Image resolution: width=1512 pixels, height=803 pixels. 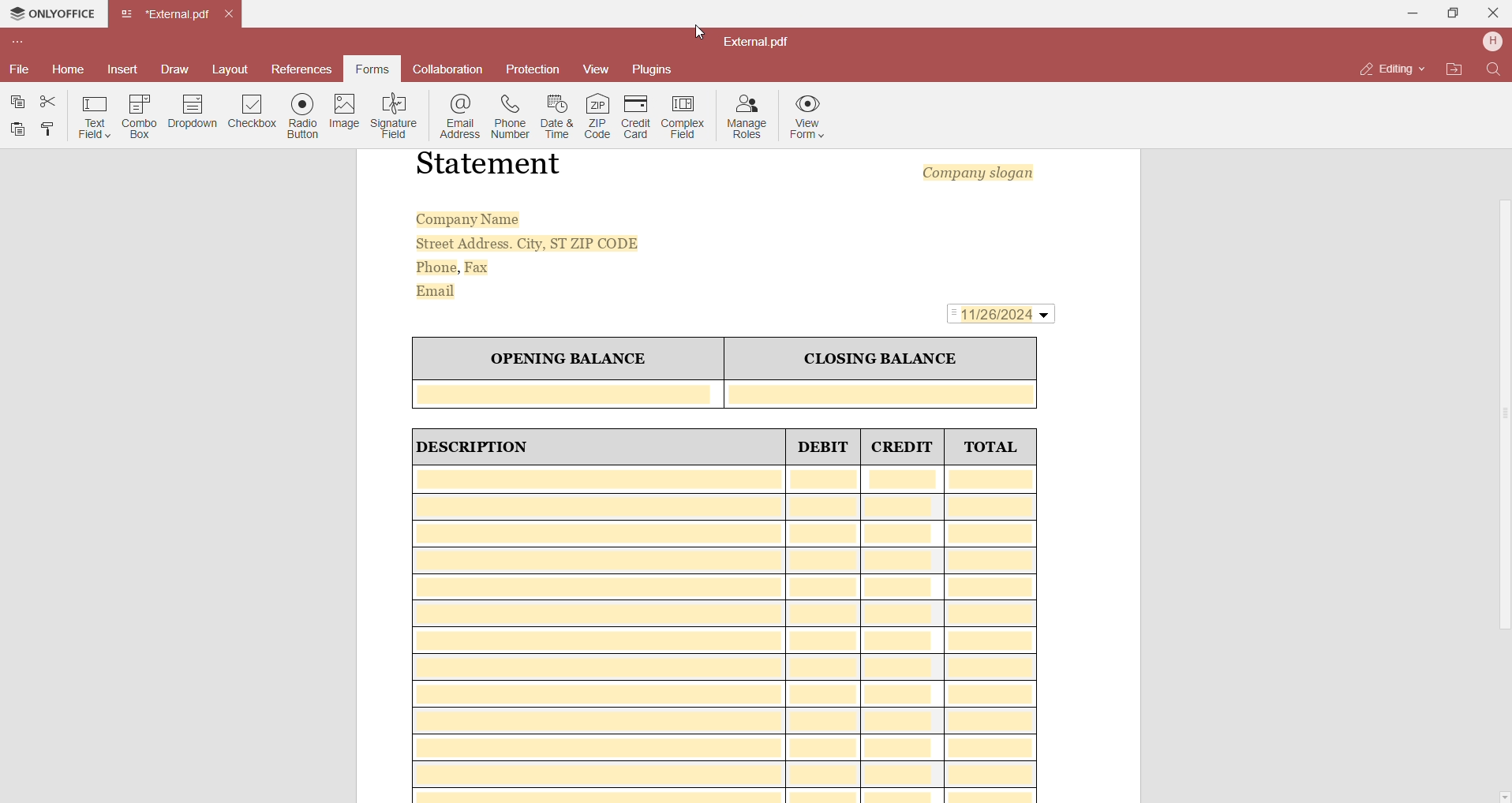 I want to click on Home, so click(x=68, y=70).